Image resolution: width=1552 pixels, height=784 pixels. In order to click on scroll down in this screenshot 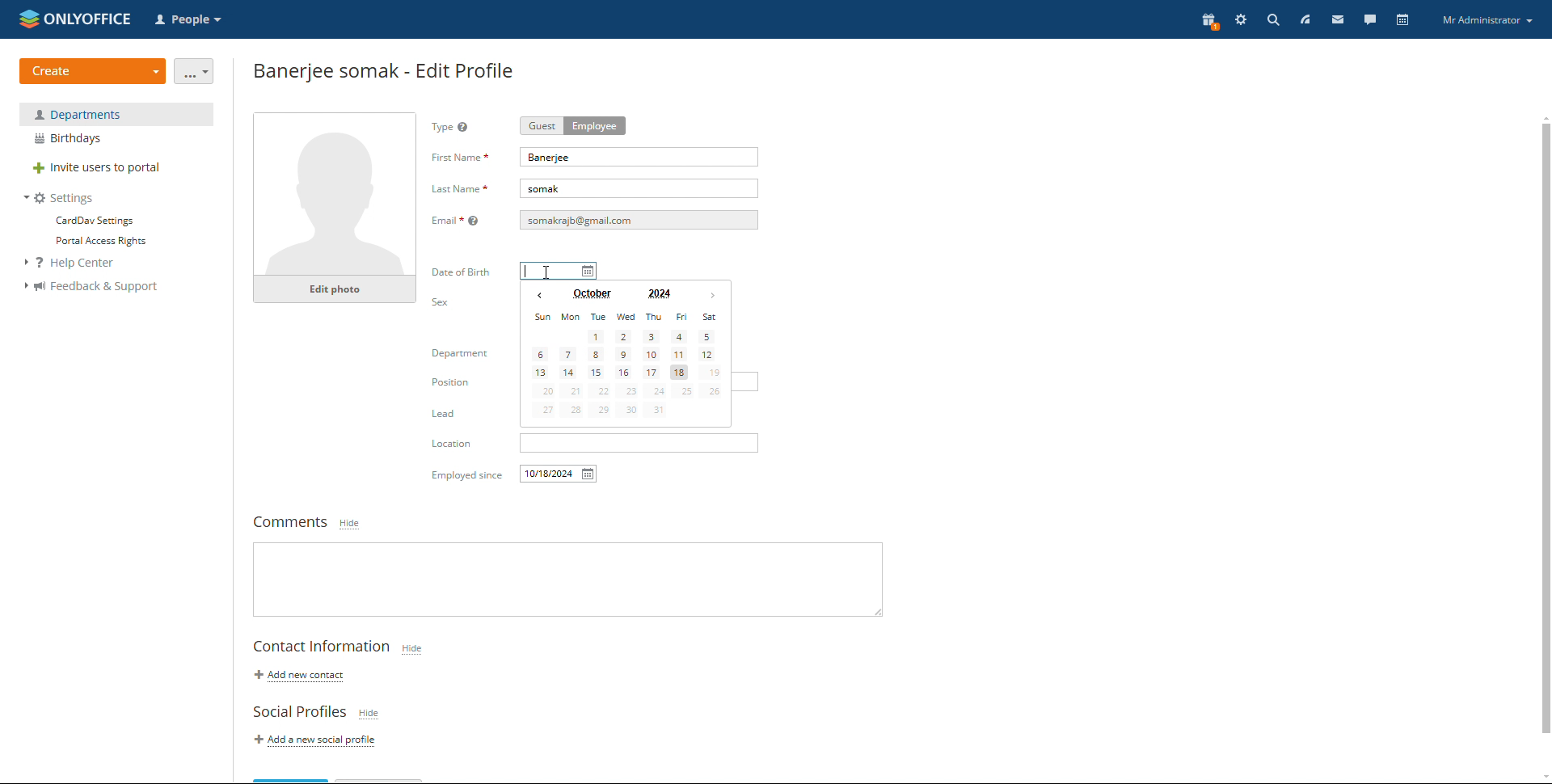, I will do `click(1542, 778)`.